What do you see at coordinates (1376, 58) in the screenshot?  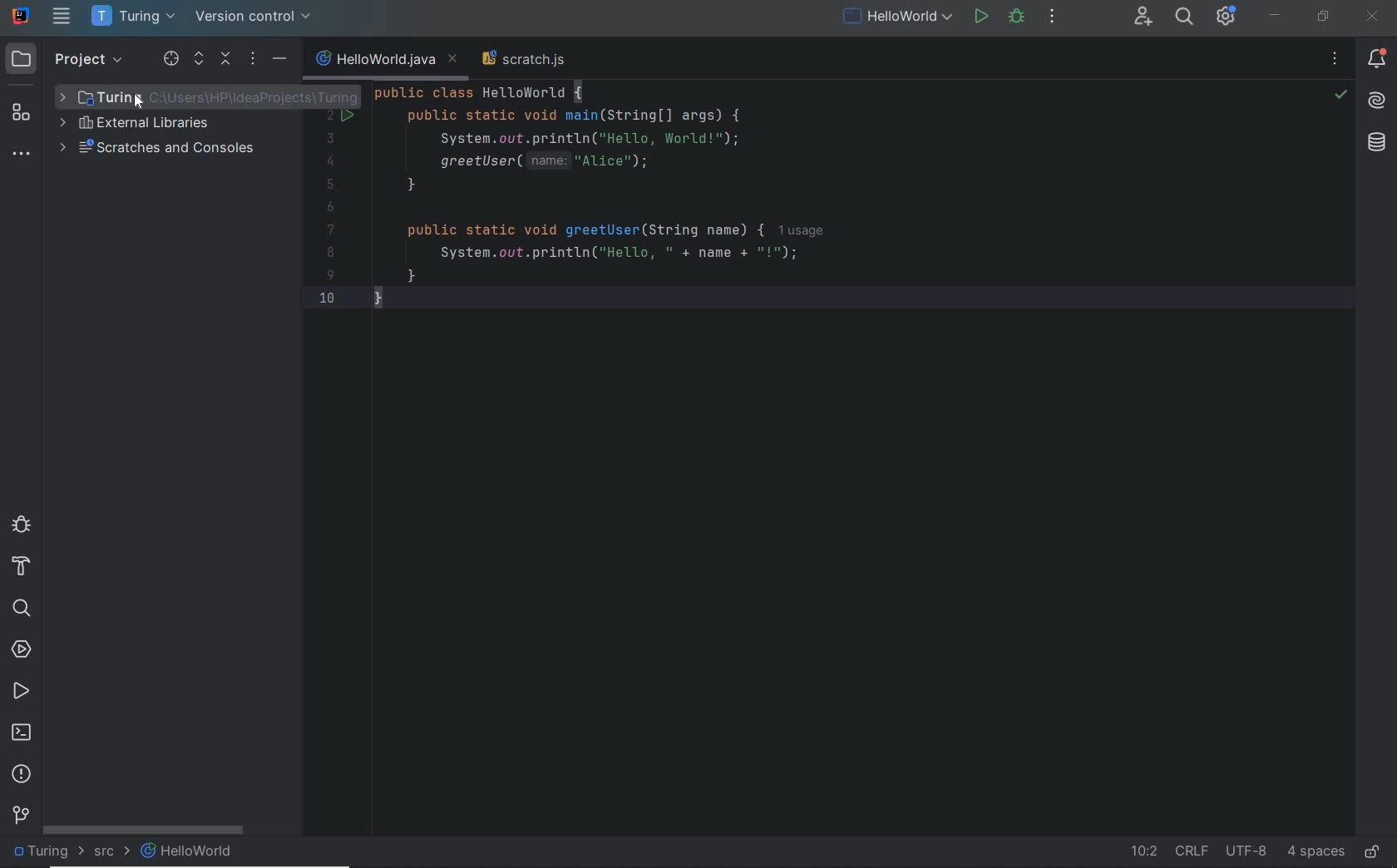 I see `notifications` at bounding box center [1376, 58].